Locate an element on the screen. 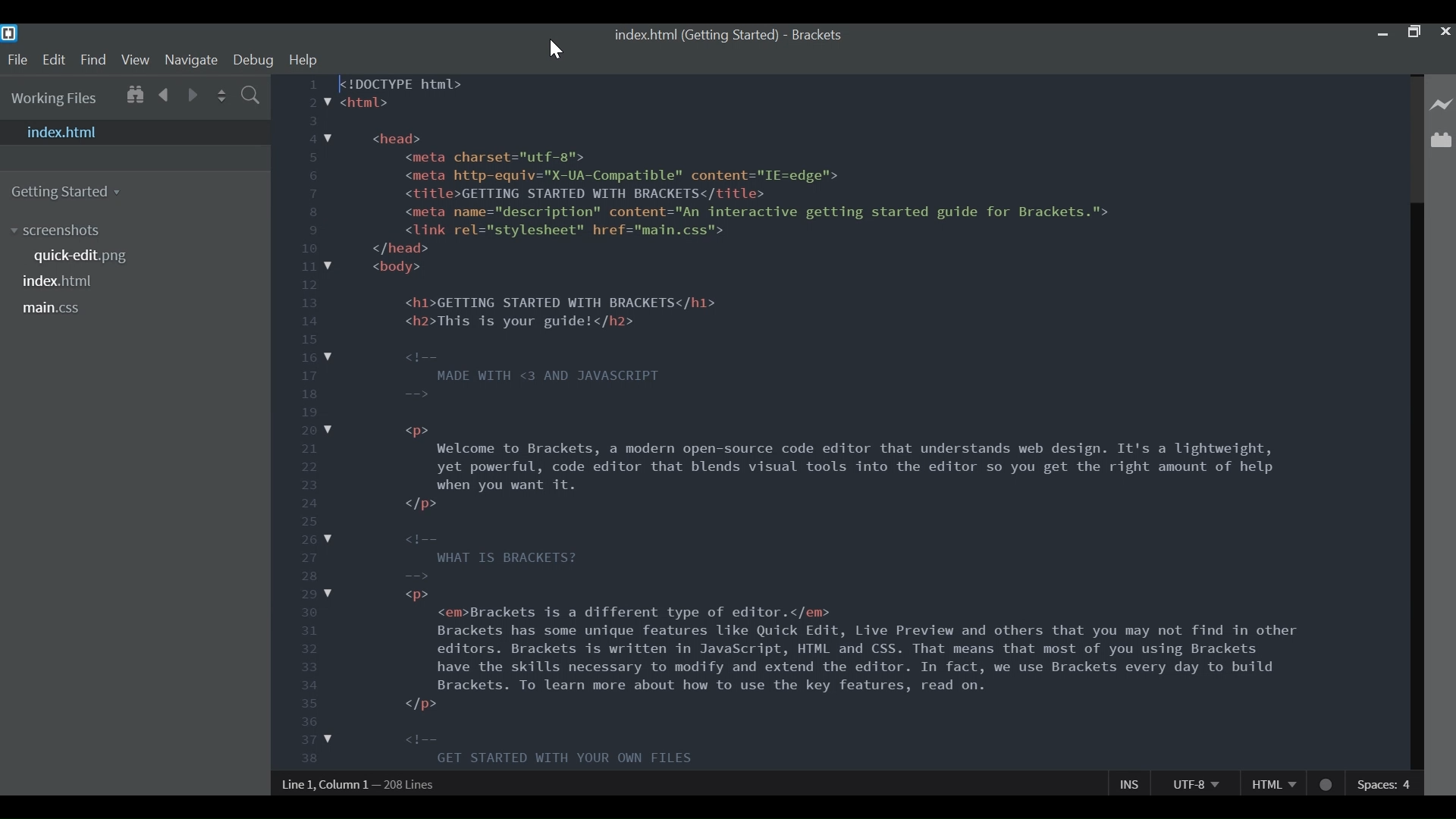 Image resolution: width=1456 pixels, height=819 pixels. HTML is located at coordinates (1270, 783).